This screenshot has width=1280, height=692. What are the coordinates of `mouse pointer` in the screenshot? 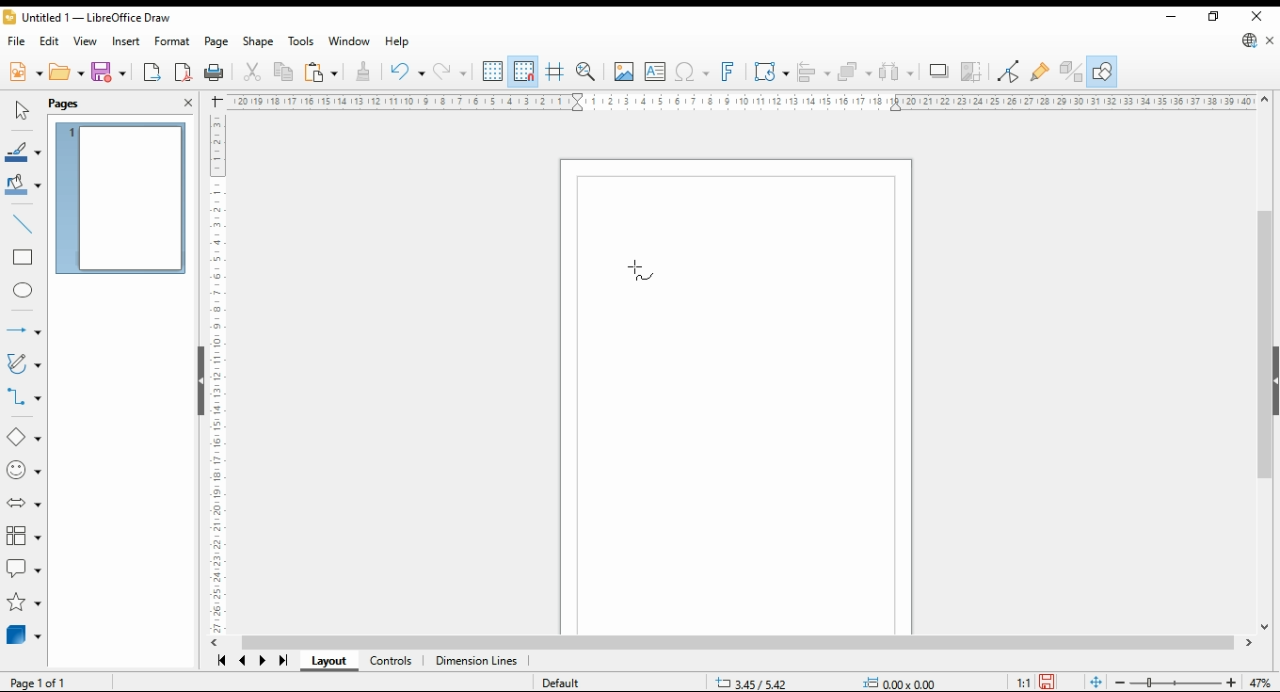 It's located at (644, 271).